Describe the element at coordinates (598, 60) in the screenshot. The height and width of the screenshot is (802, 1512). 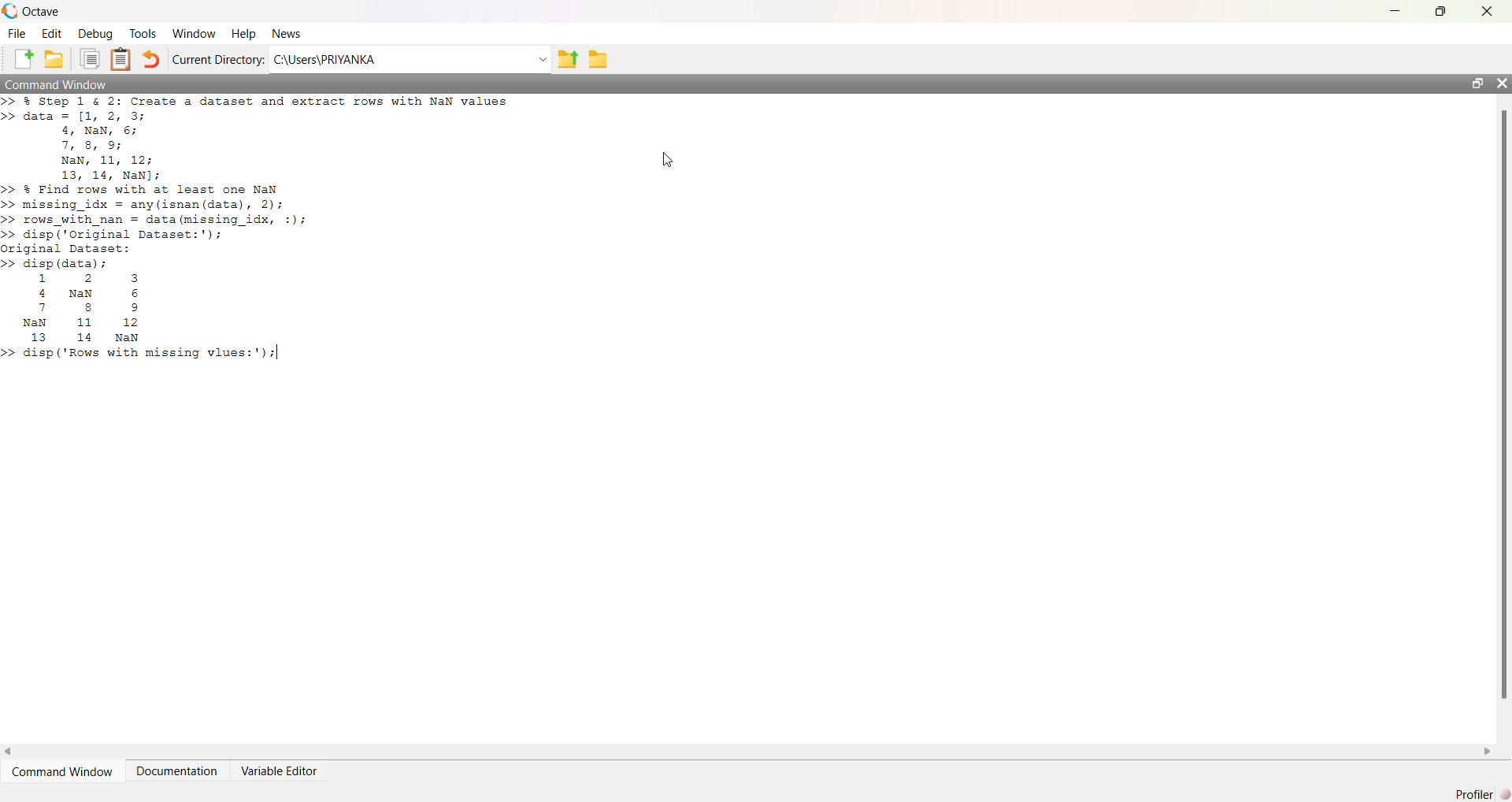
I see `folder` at that location.